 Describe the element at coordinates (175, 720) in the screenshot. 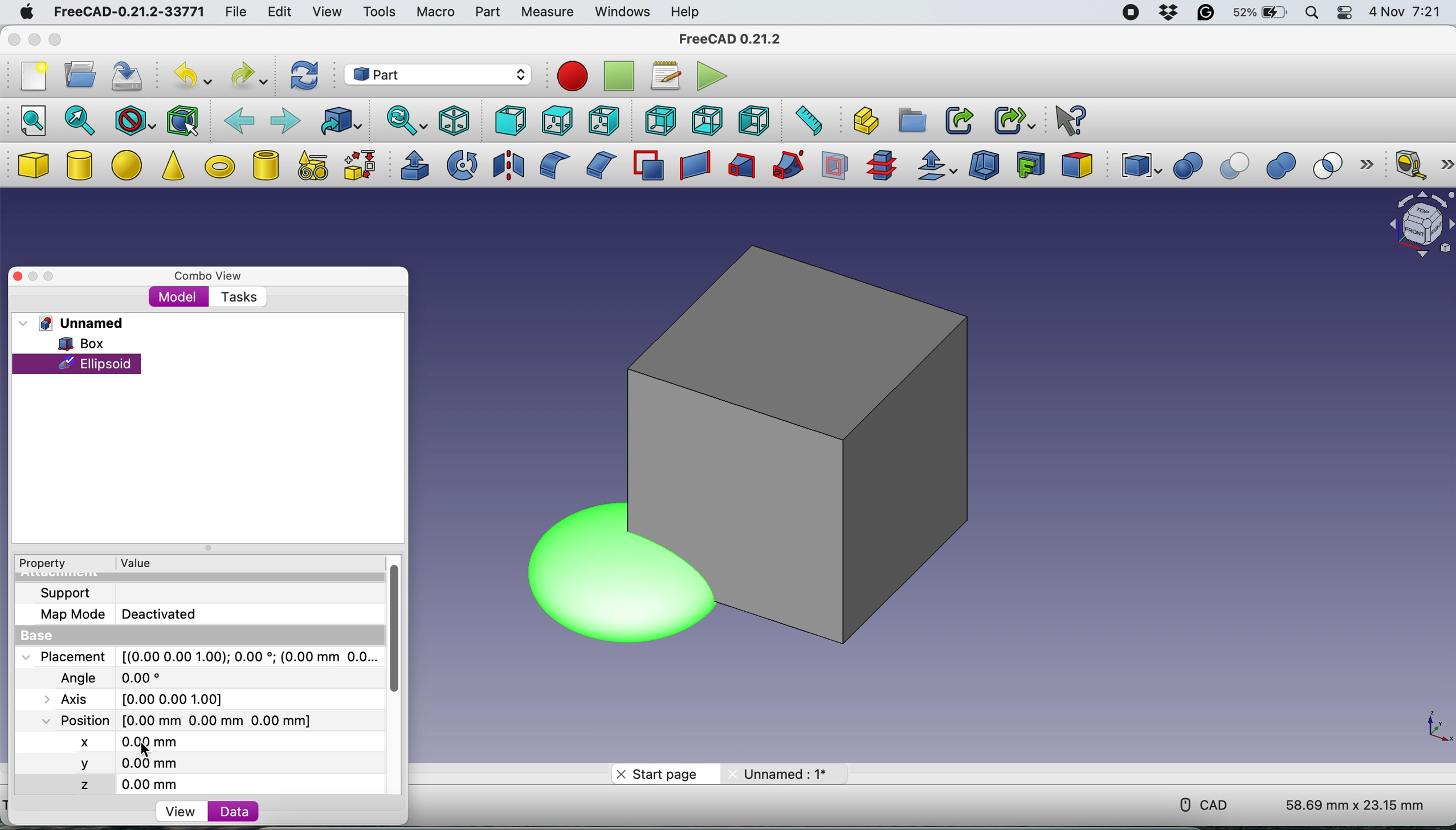

I see `Position [0.00 mm 0.00 mm 0.00 mm]` at that location.